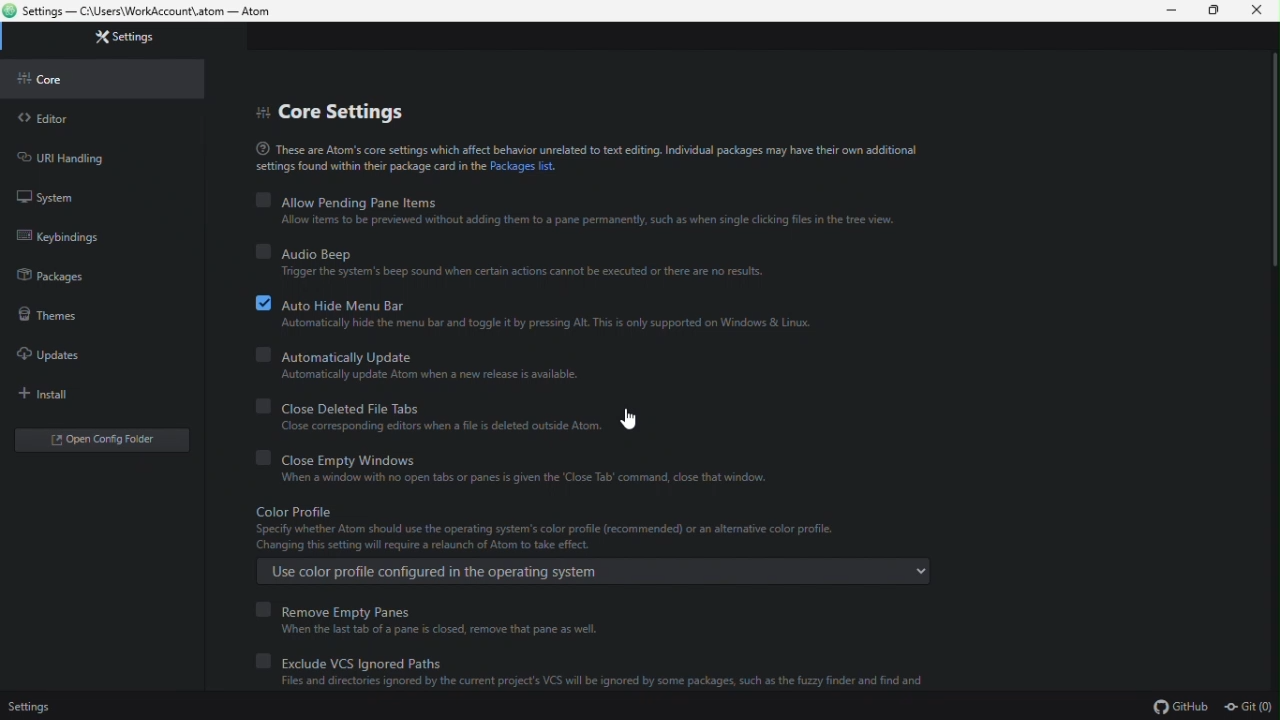 This screenshot has width=1280, height=720. Describe the element at coordinates (379, 105) in the screenshot. I see `core settings` at that location.